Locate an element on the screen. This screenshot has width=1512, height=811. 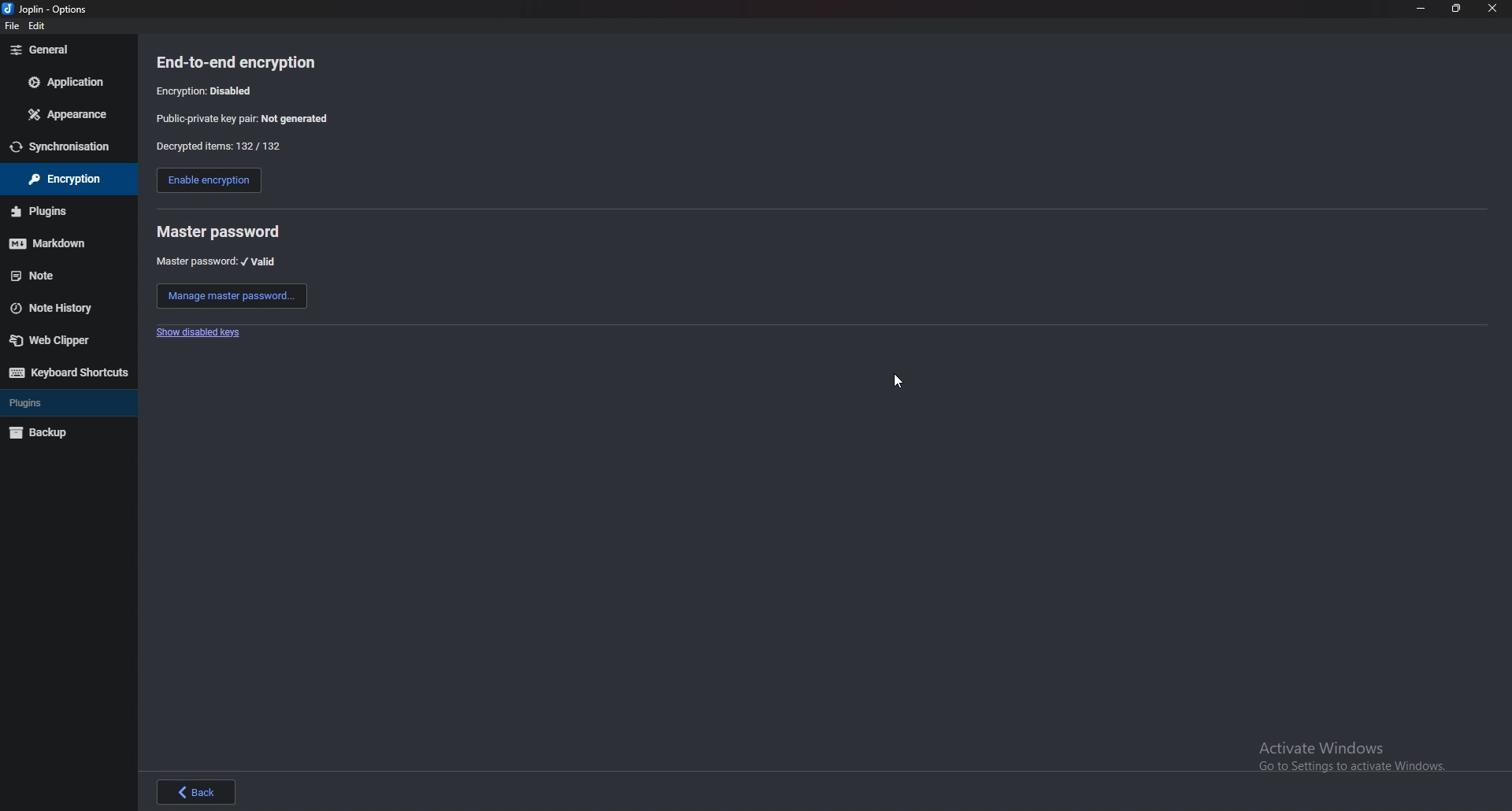
application is located at coordinates (64, 80).